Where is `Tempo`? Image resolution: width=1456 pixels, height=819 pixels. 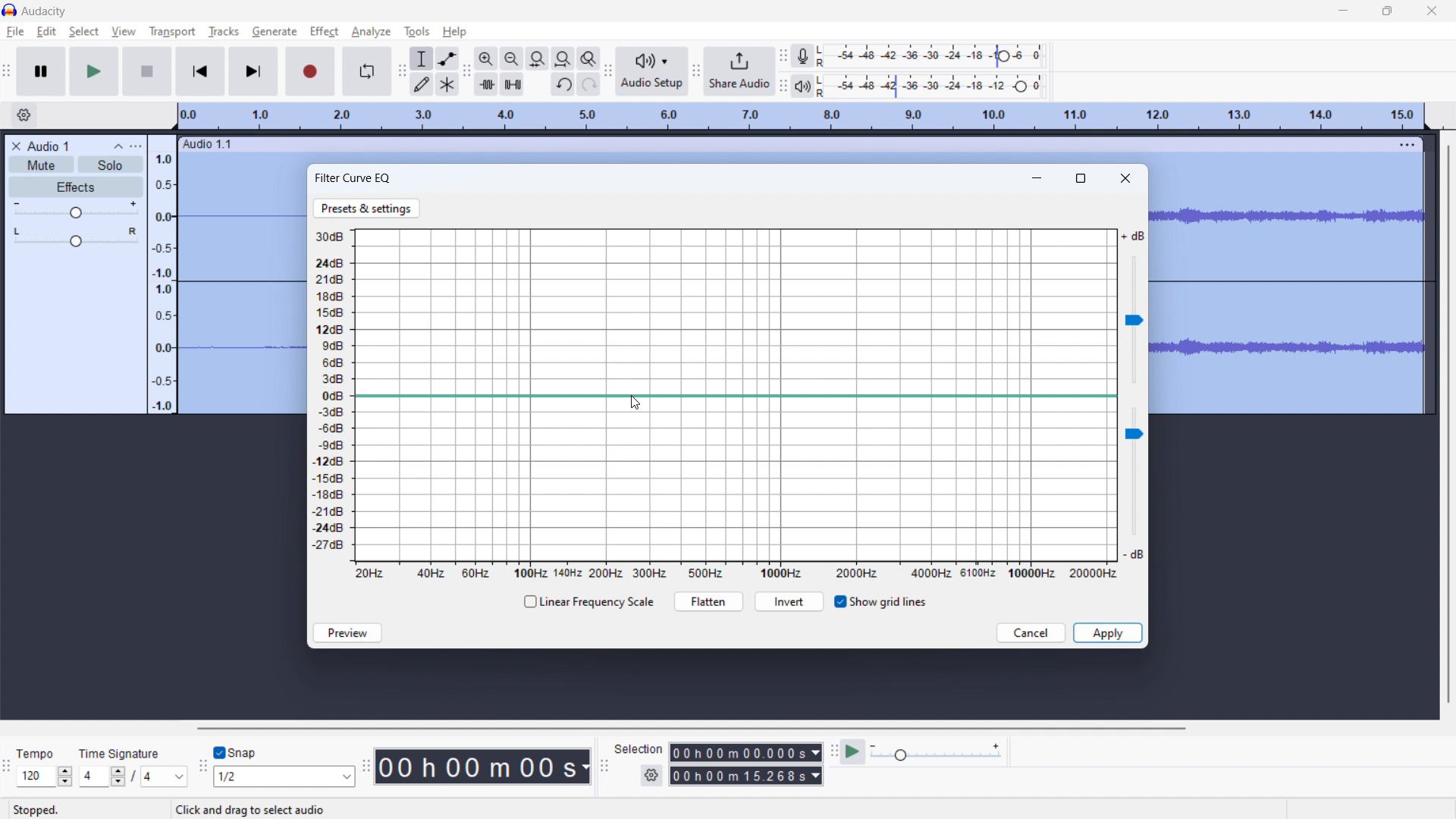 Tempo is located at coordinates (44, 754).